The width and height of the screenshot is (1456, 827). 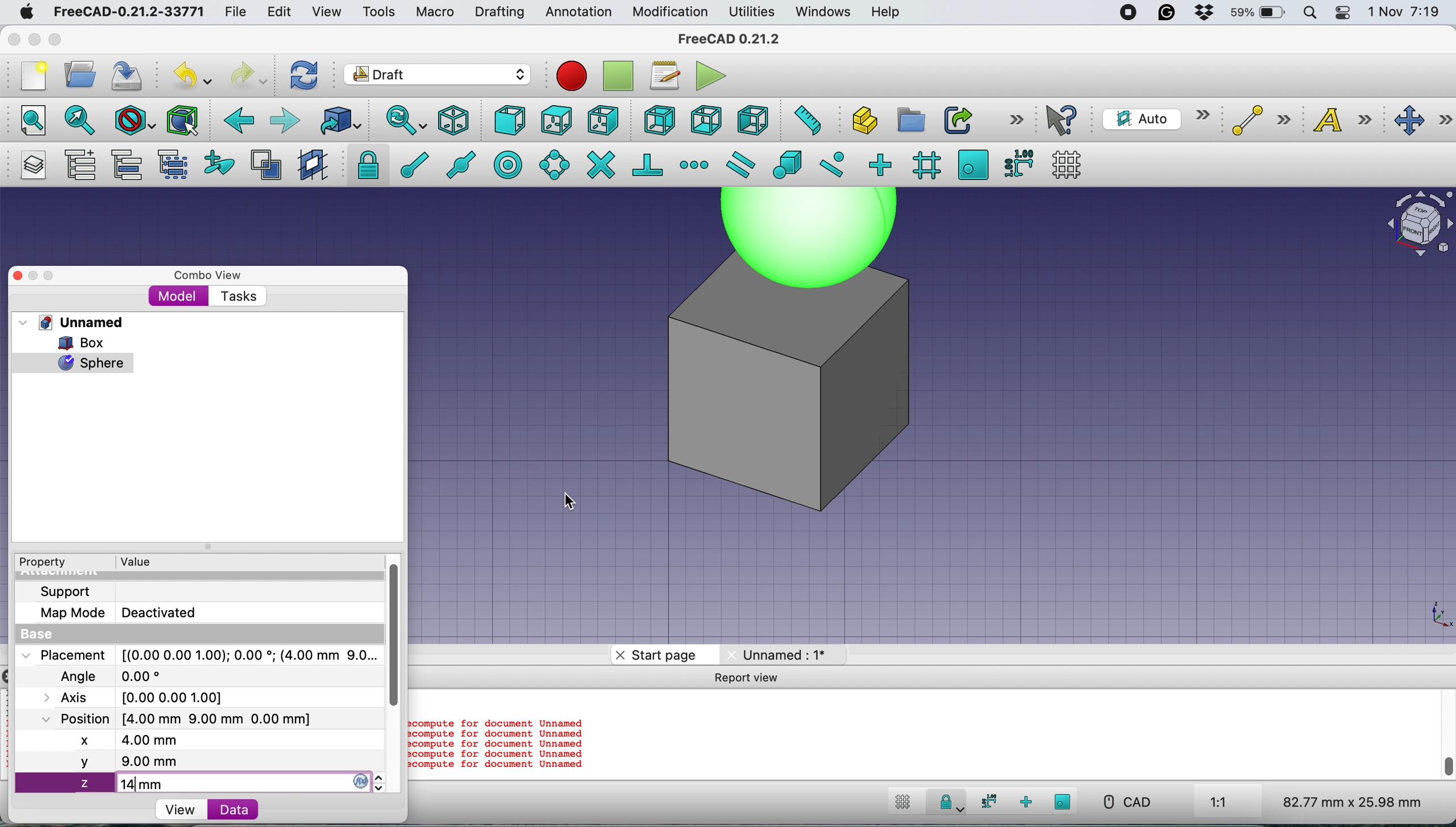 I want to click on vertical scroll bar, so click(x=394, y=636).